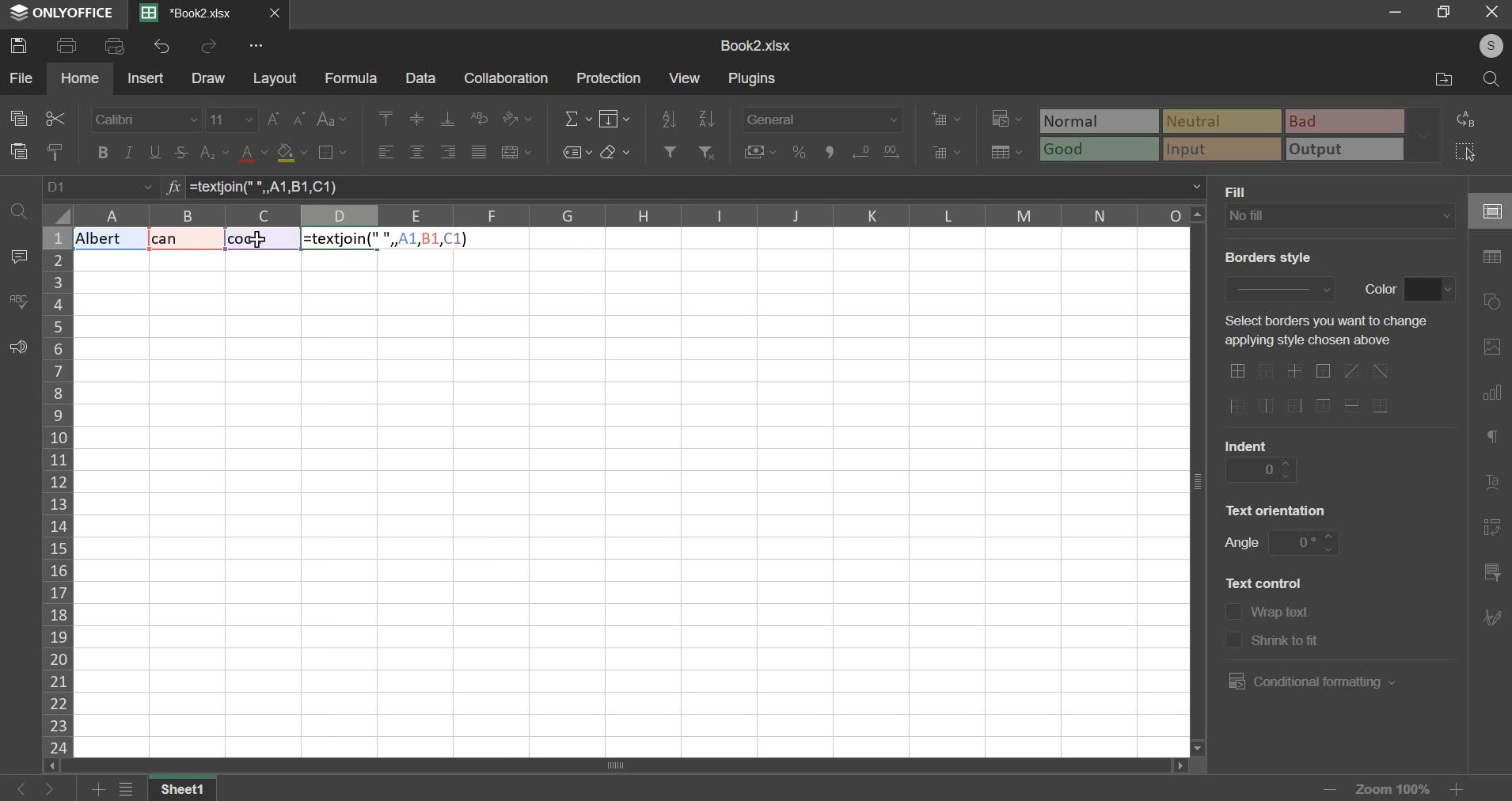  What do you see at coordinates (67, 46) in the screenshot?
I see `print` at bounding box center [67, 46].